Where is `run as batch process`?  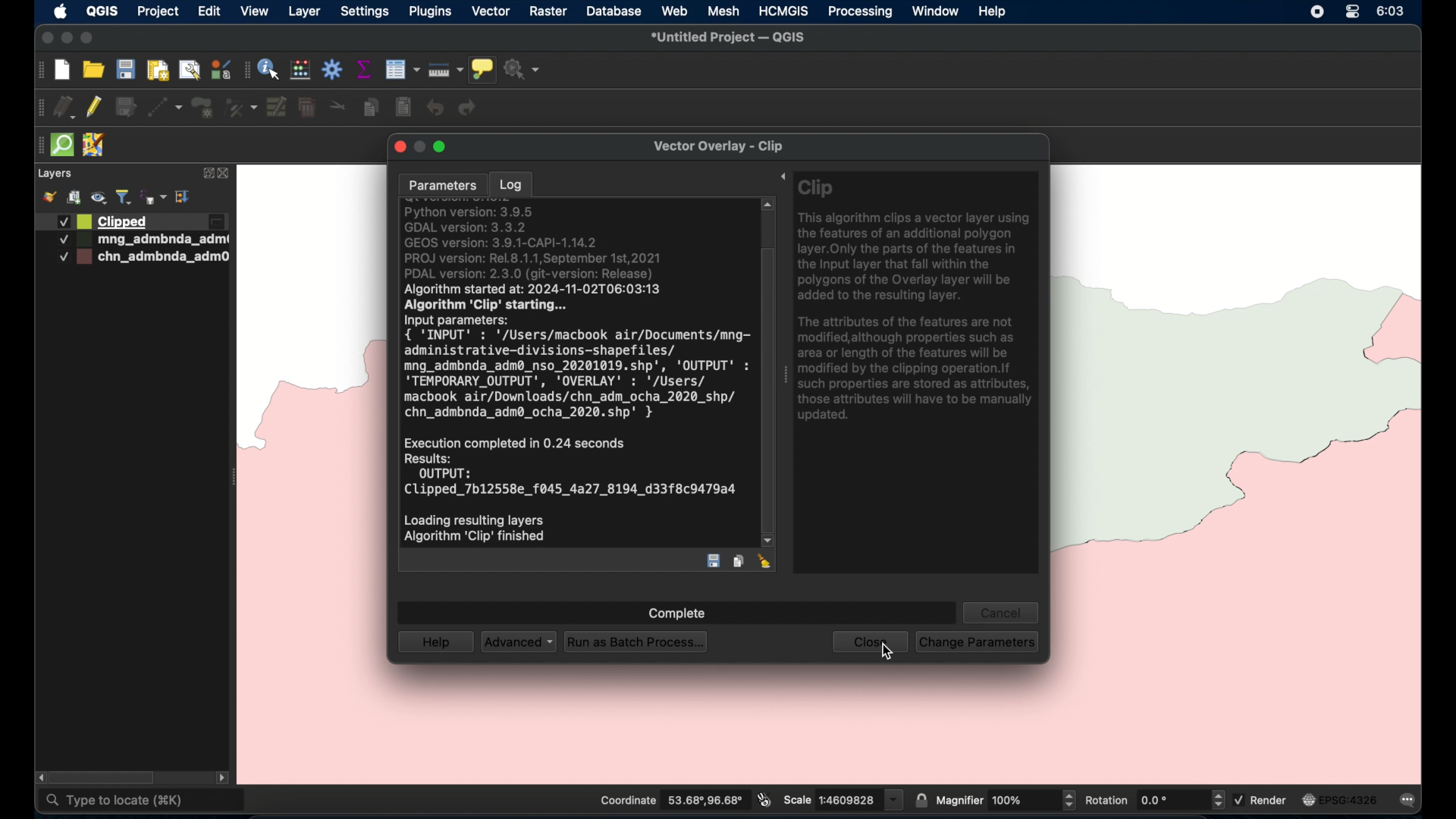 run as batch process is located at coordinates (633, 641).